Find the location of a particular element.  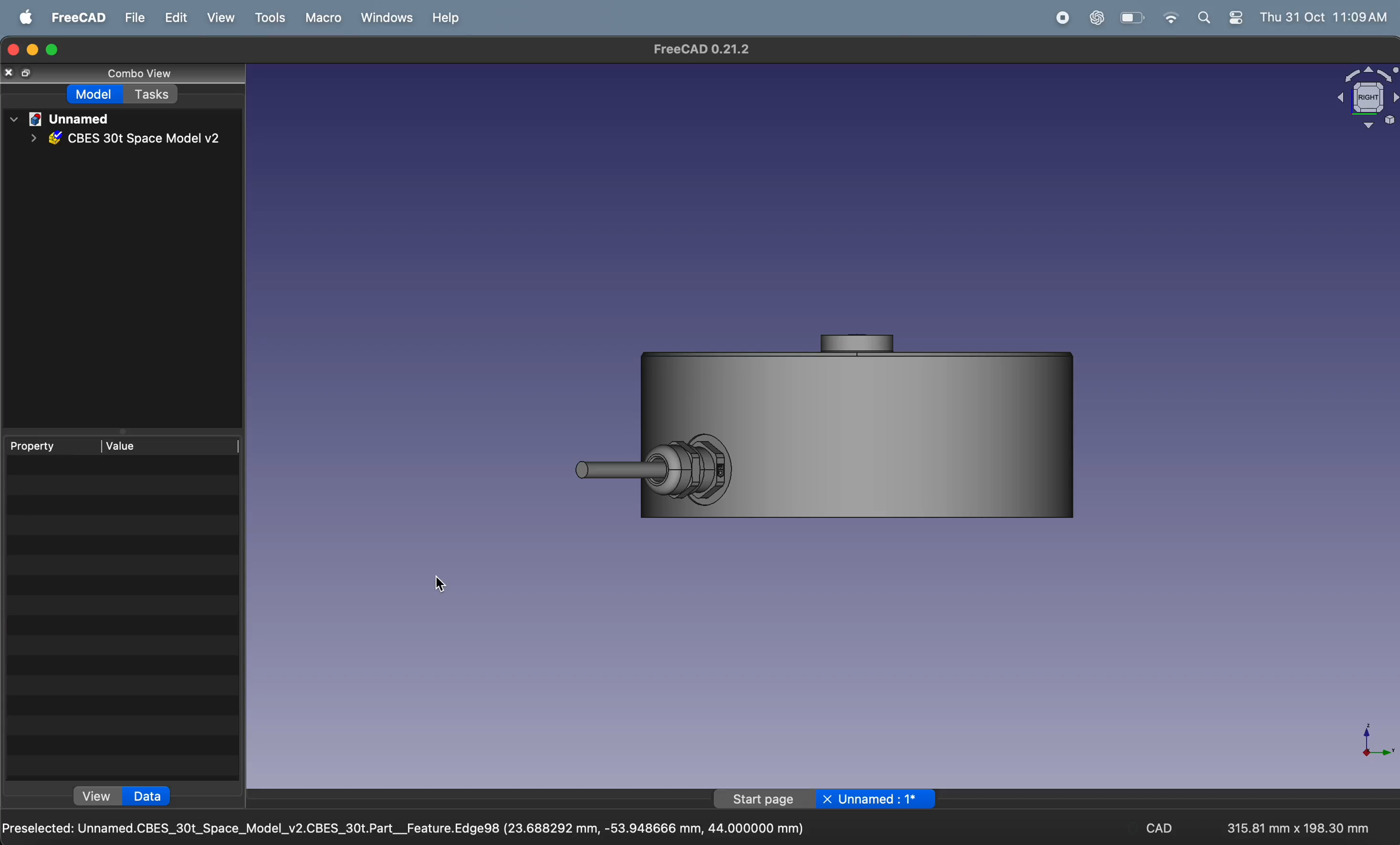

model is located at coordinates (92, 94).